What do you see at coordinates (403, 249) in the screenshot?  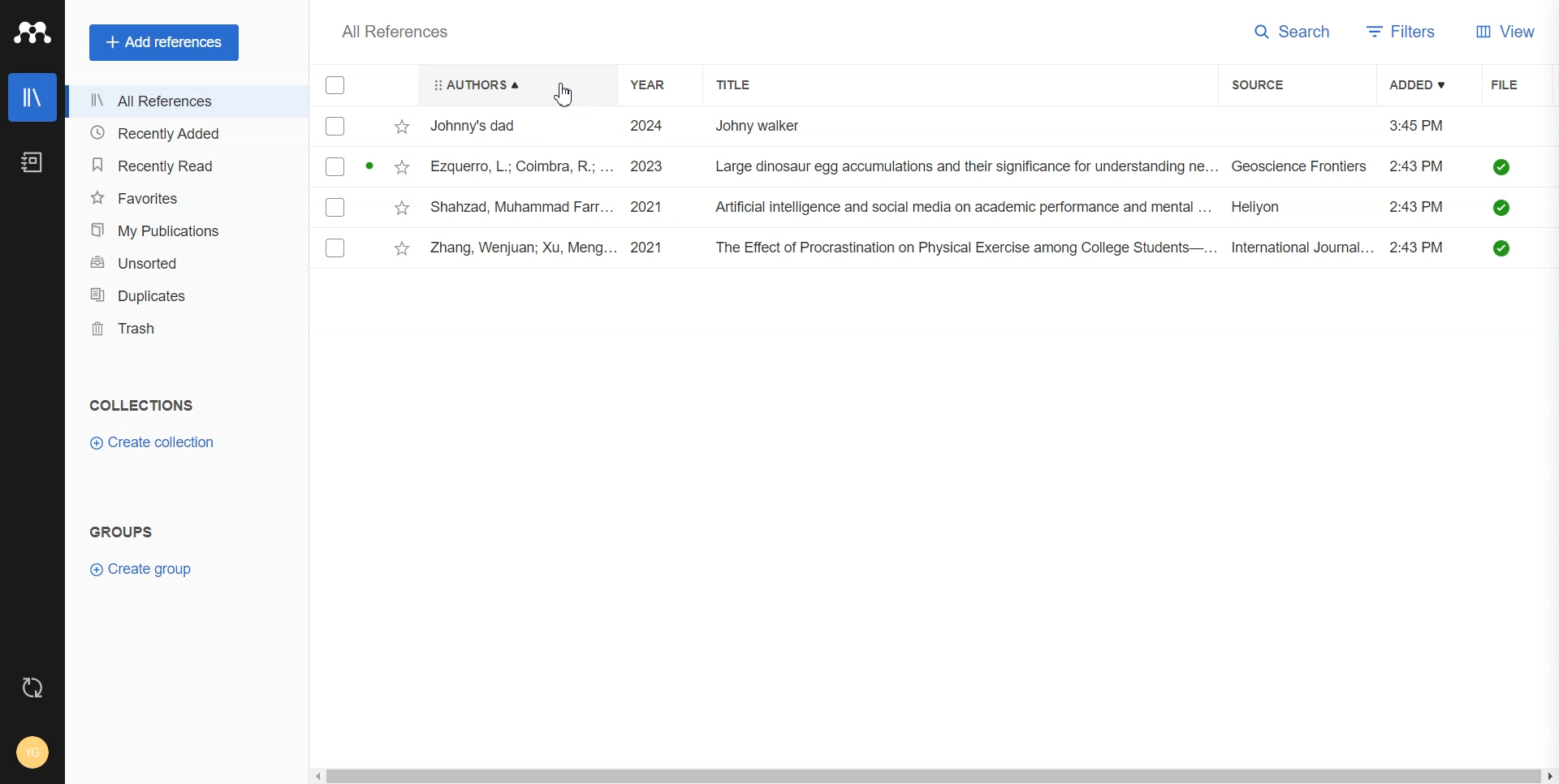 I see `Toggle Favorites` at bounding box center [403, 249].